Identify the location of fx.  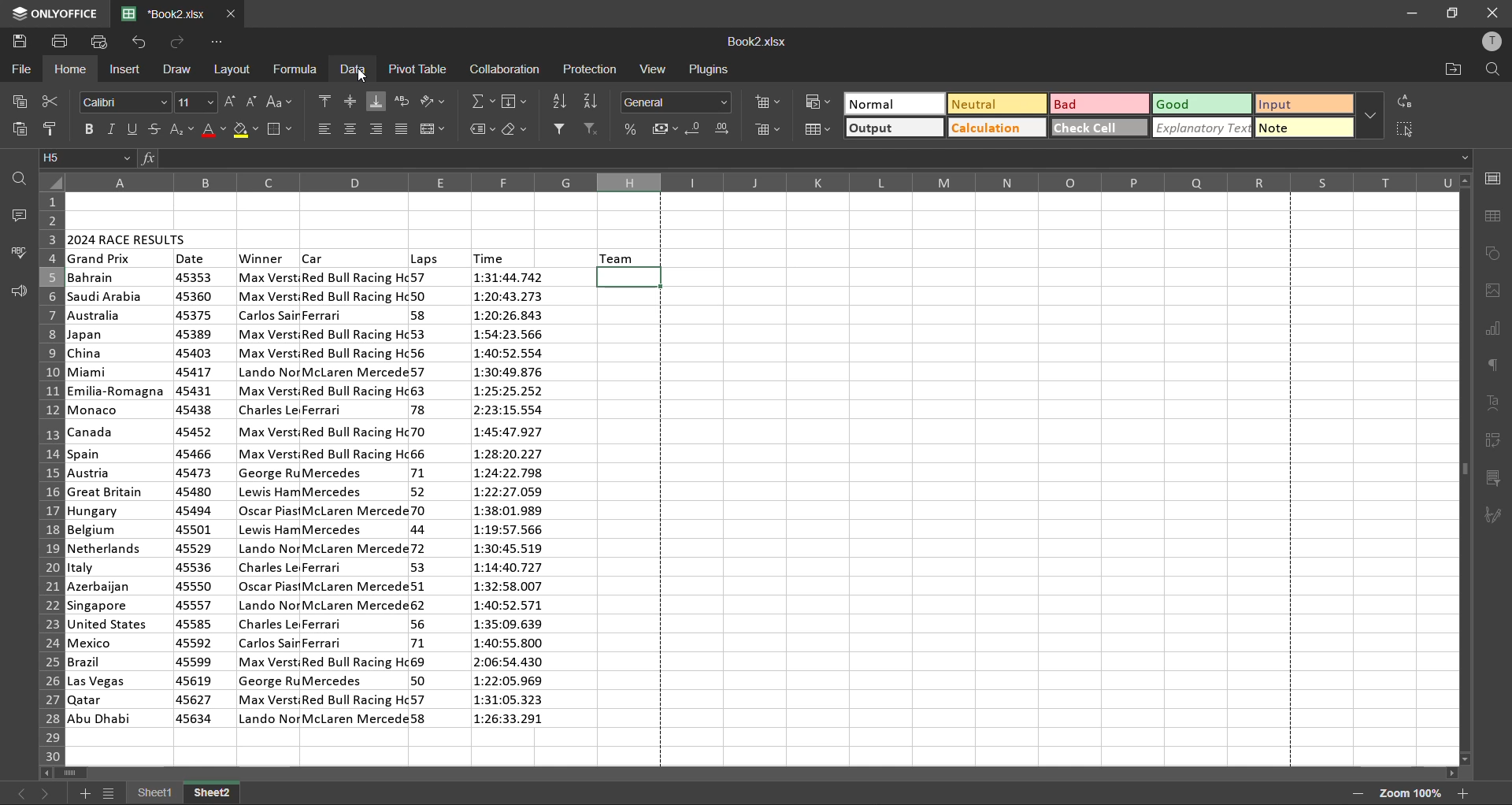
(150, 161).